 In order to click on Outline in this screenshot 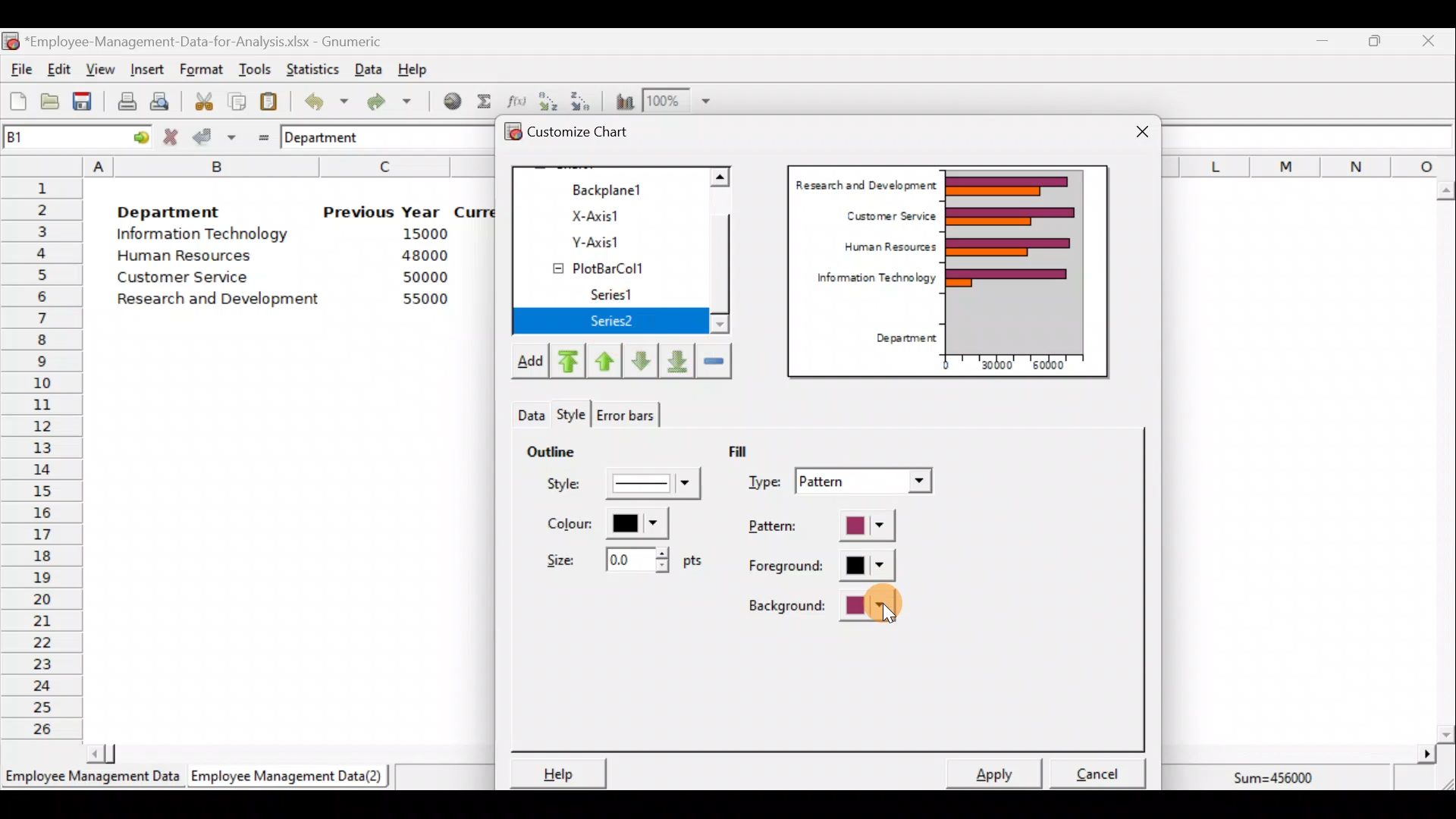, I will do `click(551, 449)`.